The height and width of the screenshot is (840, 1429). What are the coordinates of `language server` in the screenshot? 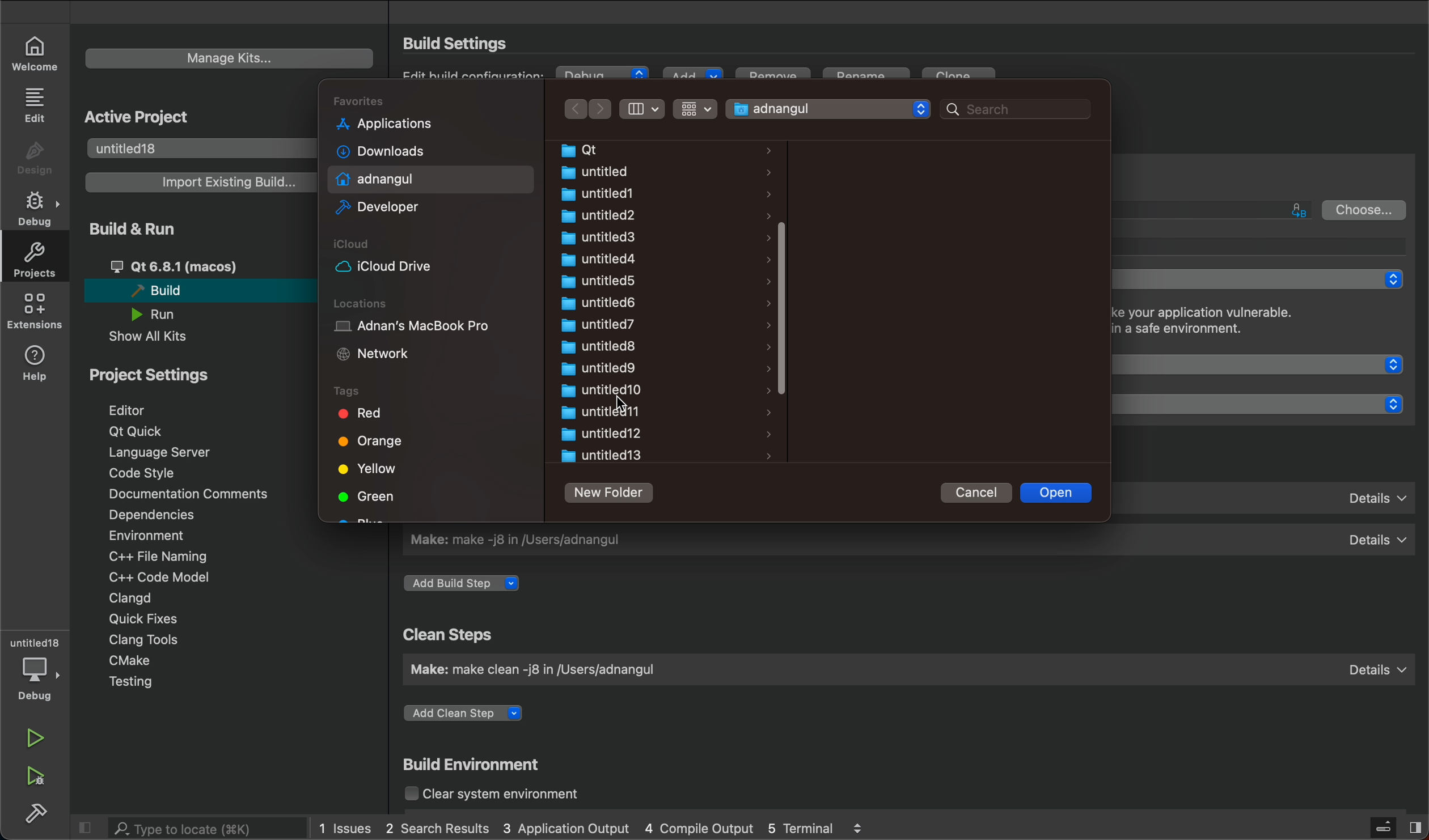 It's located at (167, 454).